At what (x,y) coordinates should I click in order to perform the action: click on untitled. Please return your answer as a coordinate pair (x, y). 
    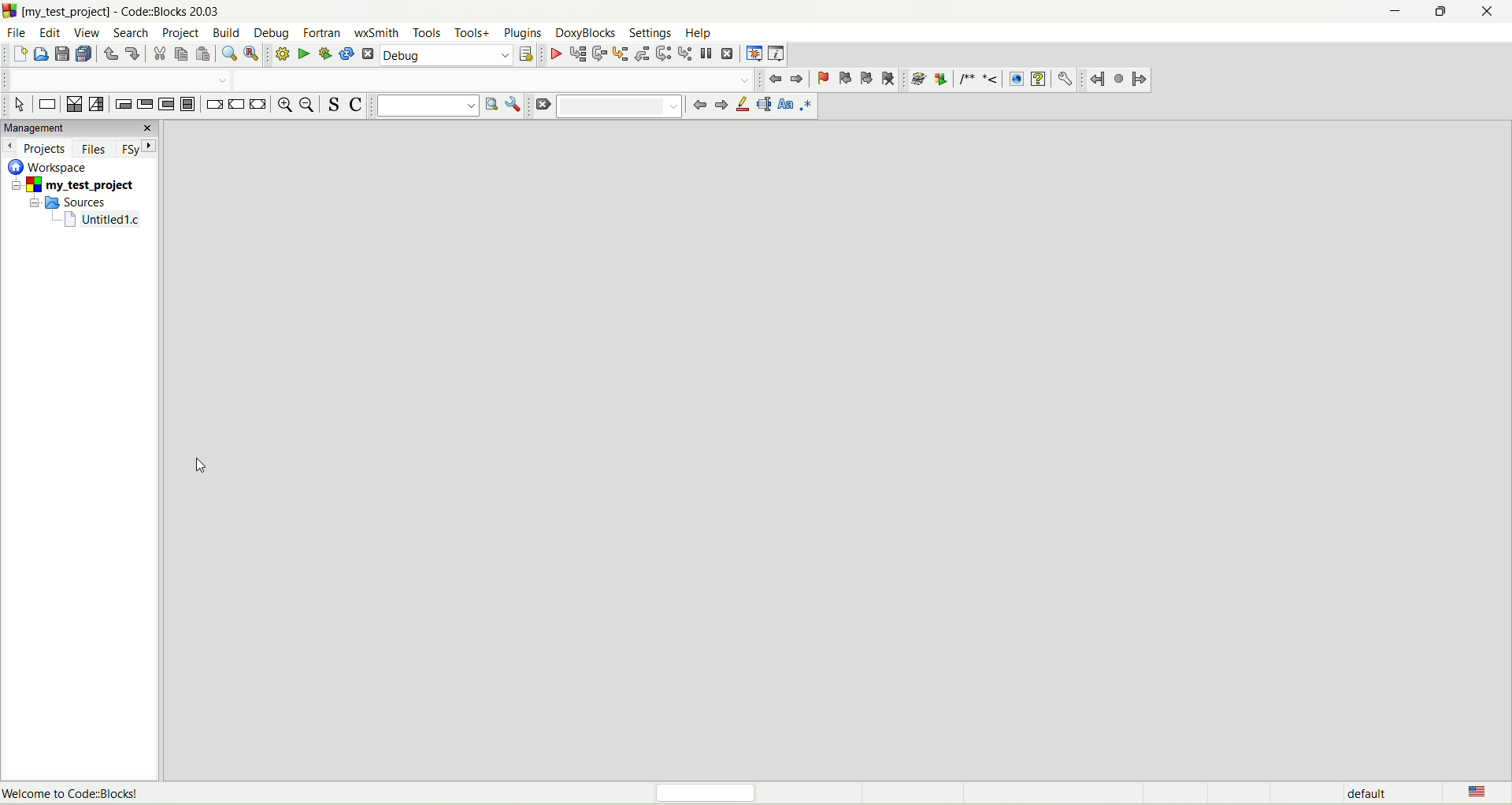
    Looking at the image, I should click on (101, 221).